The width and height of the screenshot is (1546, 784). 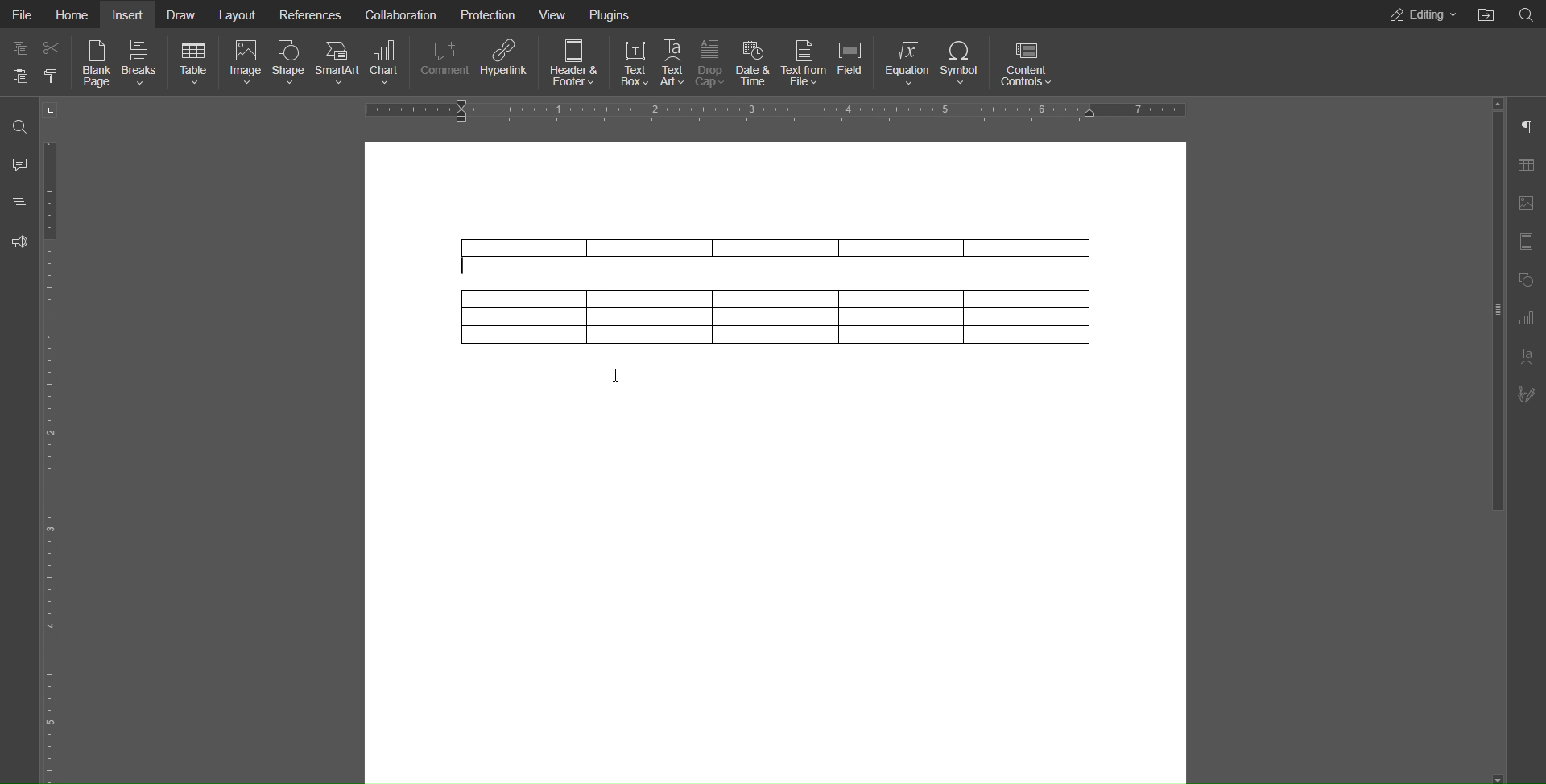 What do you see at coordinates (571, 64) in the screenshot?
I see `Header Footer` at bounding box center [571, 64].